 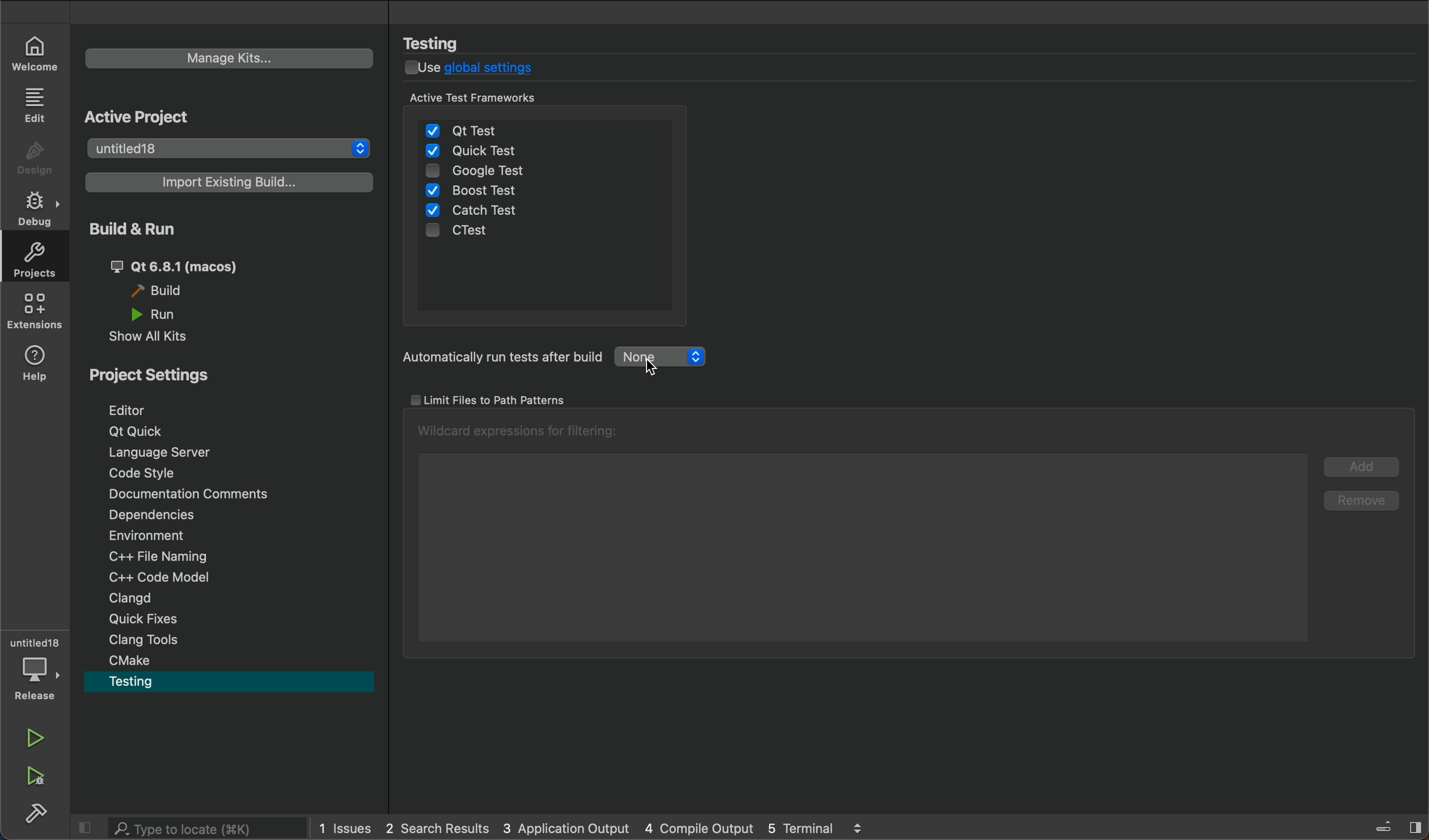 I want to click on testing , so click(x=149, y=680).